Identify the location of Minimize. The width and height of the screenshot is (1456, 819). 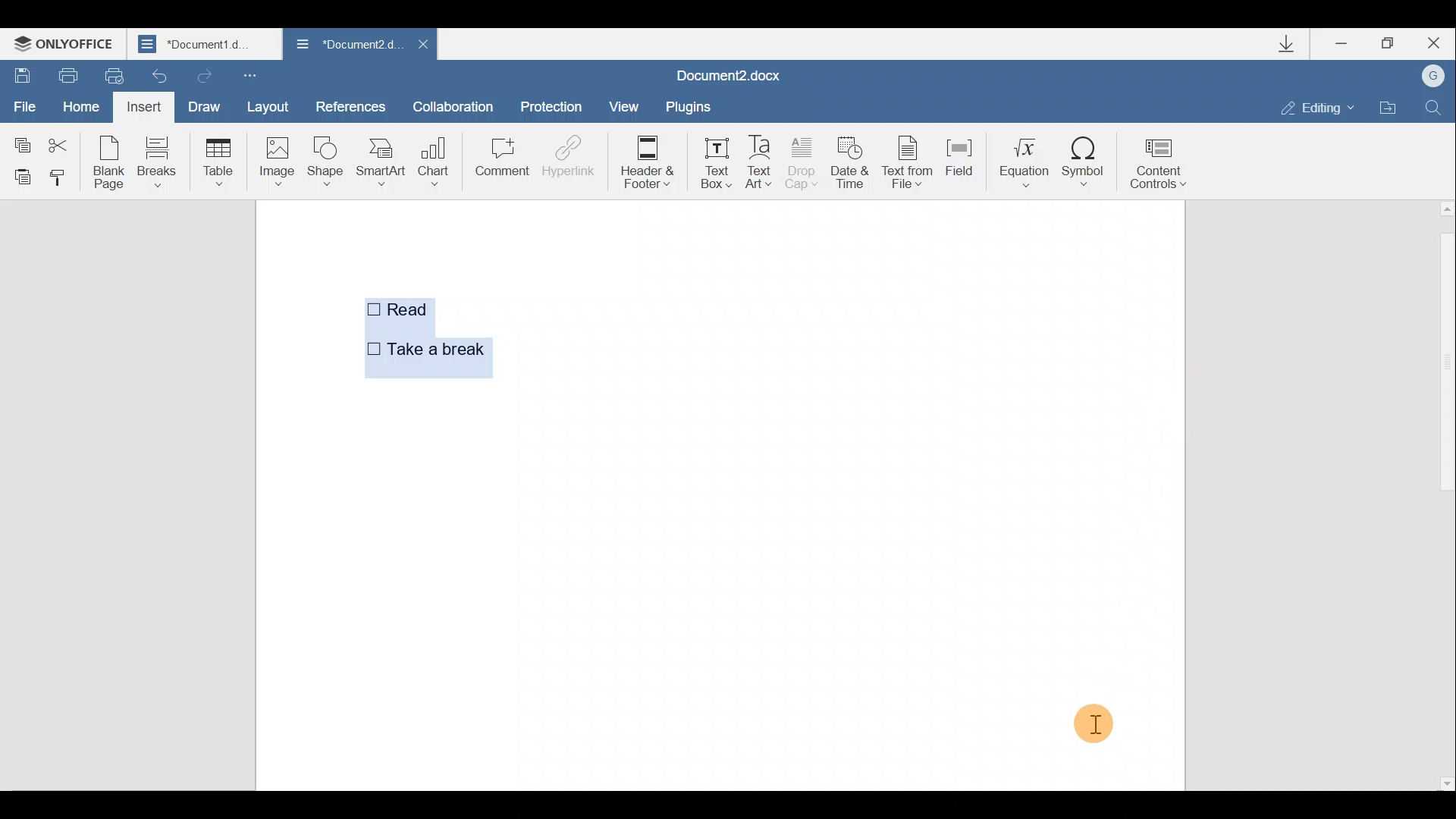
(1342, 45).